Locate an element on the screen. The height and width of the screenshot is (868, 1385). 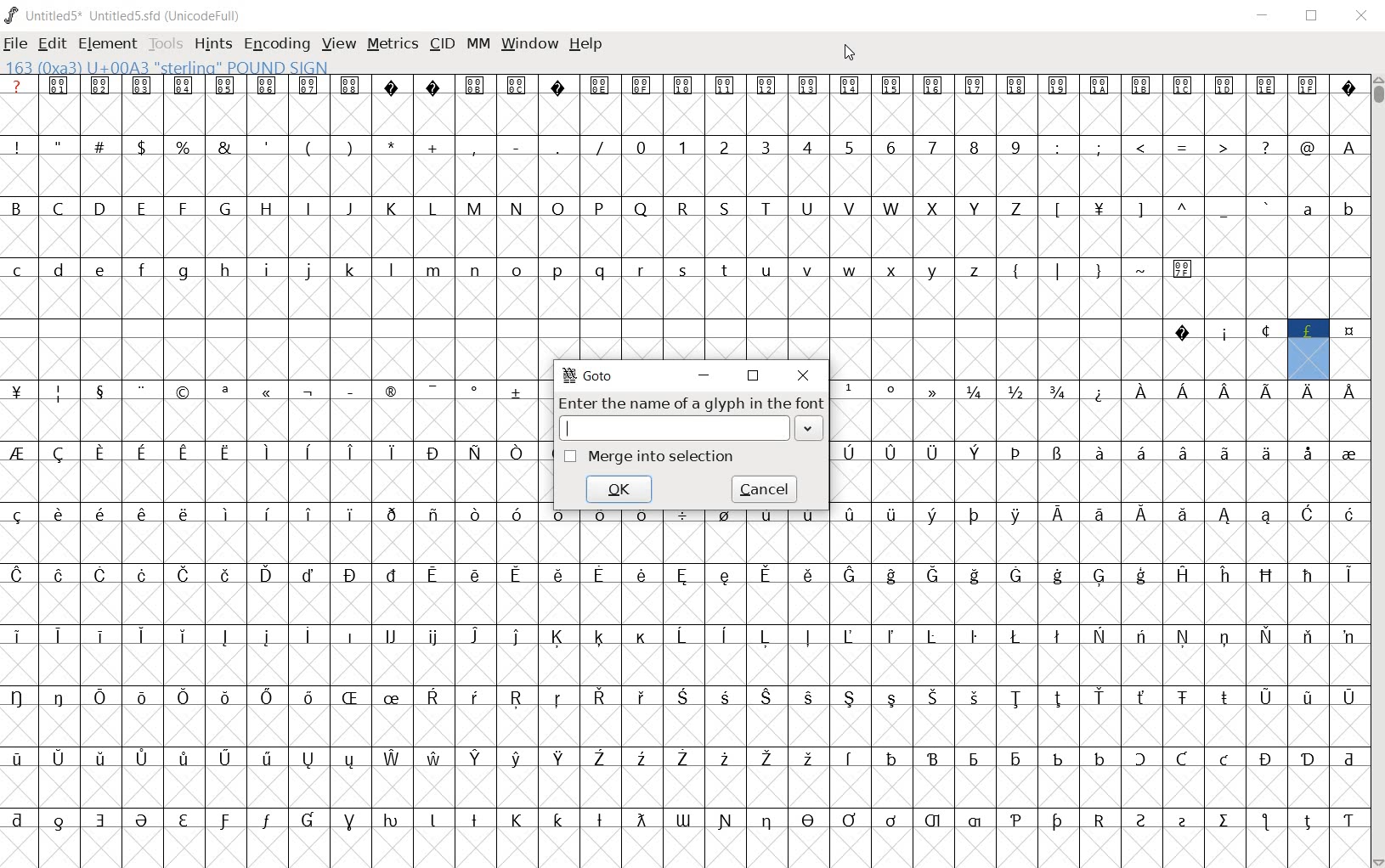
RESTORE DOWN is located at coordinates (1312, 16).